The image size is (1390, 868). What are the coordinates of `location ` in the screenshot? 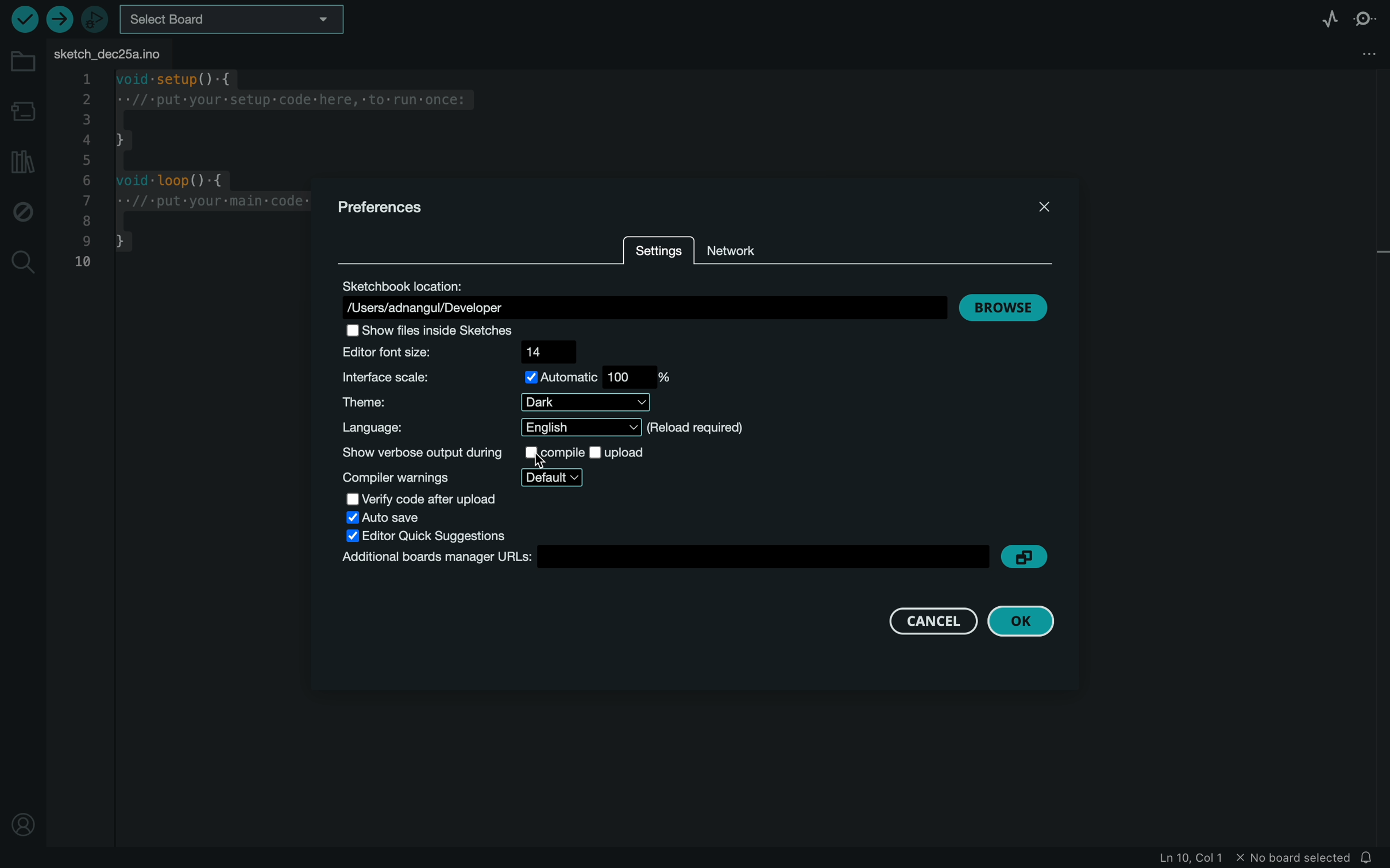 It's located at (645, 296).